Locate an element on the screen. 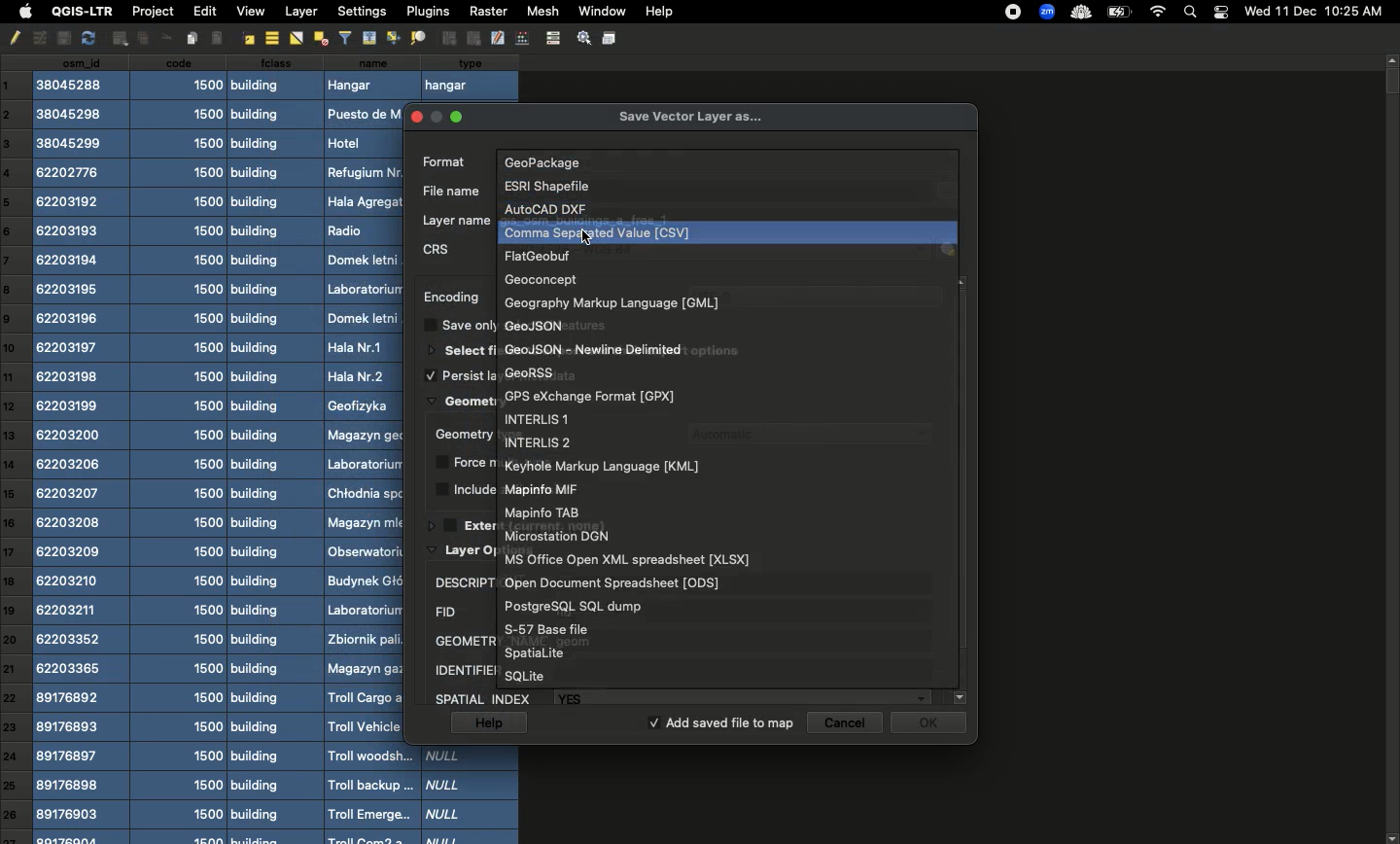 The image size is (1400, 844). Flip Horizontally is located at coordinates (295, 39).